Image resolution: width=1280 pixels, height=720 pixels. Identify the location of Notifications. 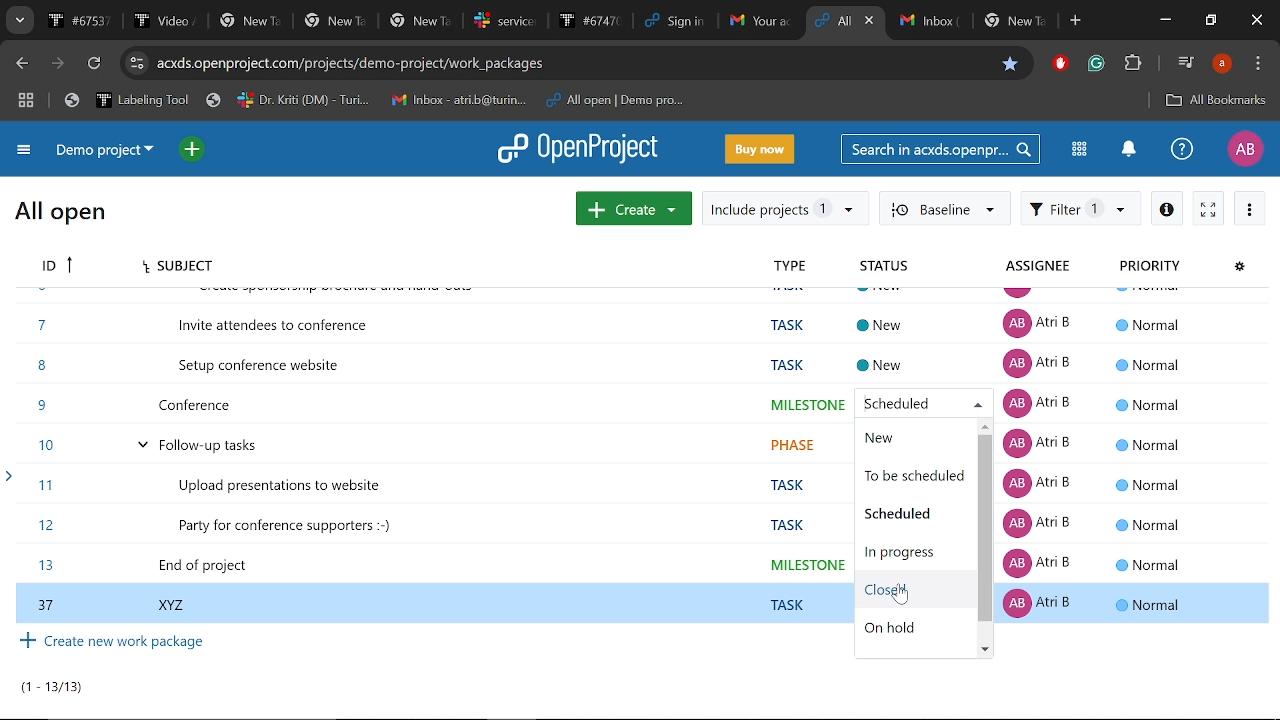
(1129, 151).